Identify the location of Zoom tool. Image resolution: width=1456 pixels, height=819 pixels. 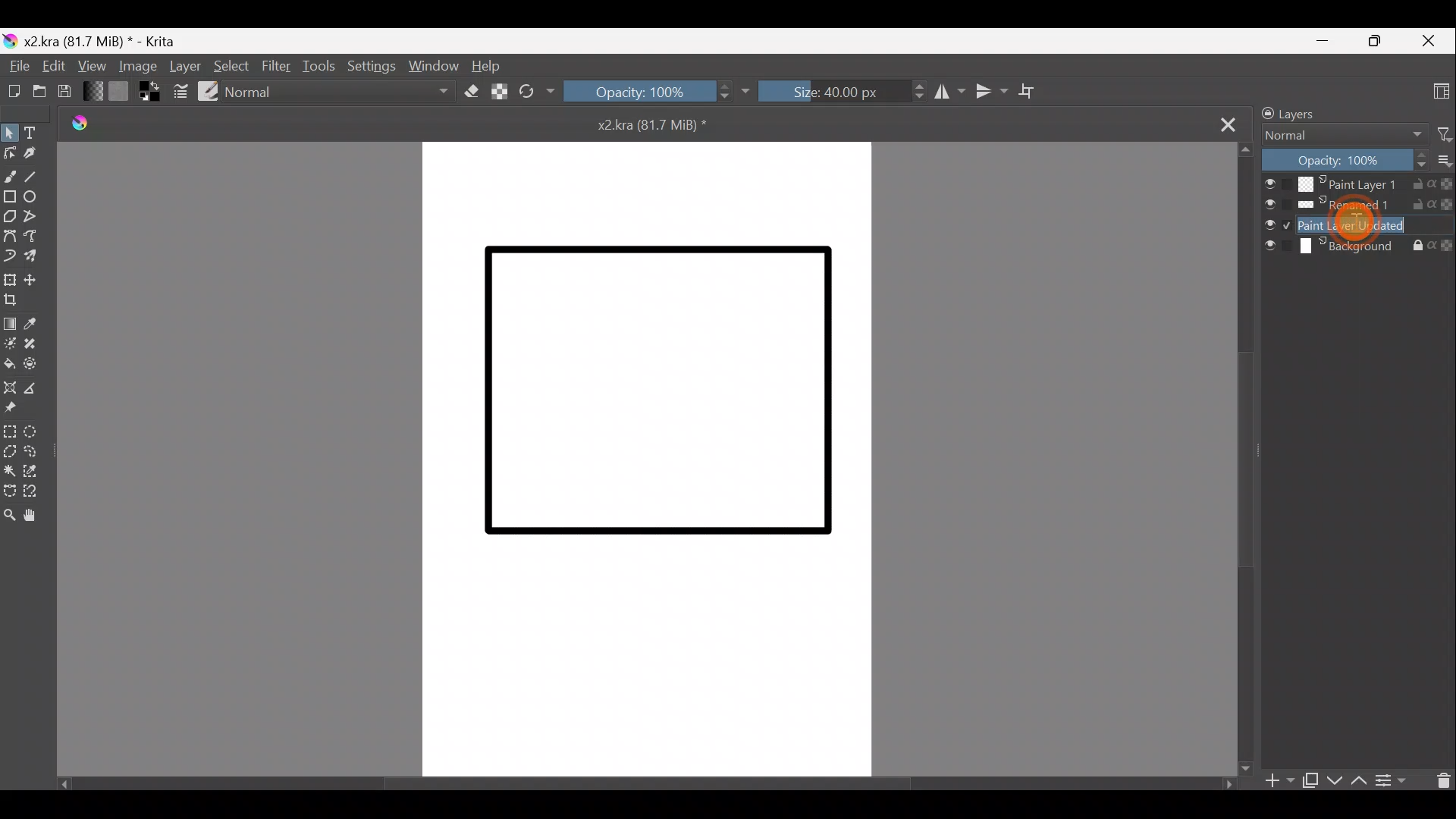
(11, 515).